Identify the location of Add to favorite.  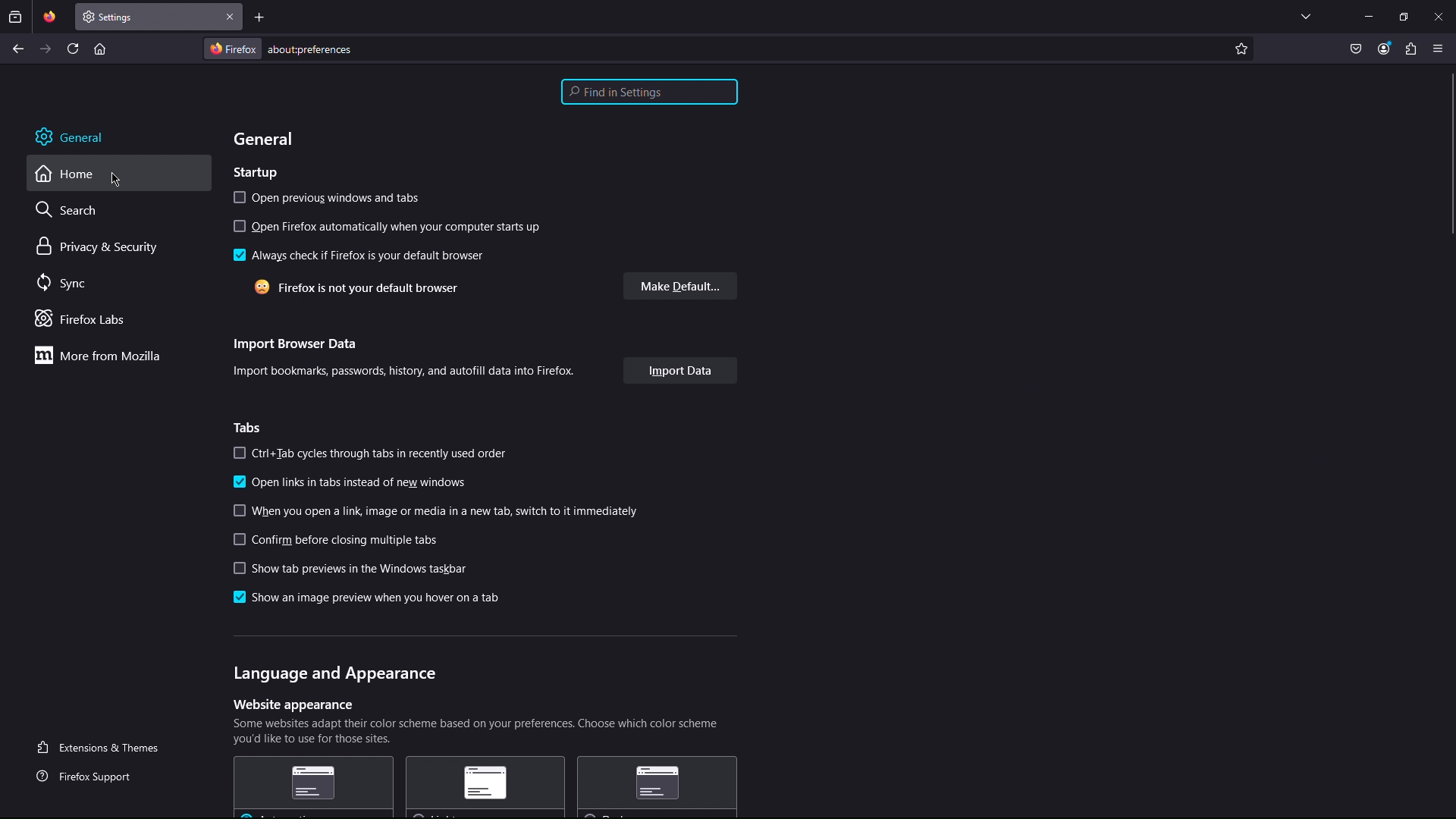
(1241, 49).